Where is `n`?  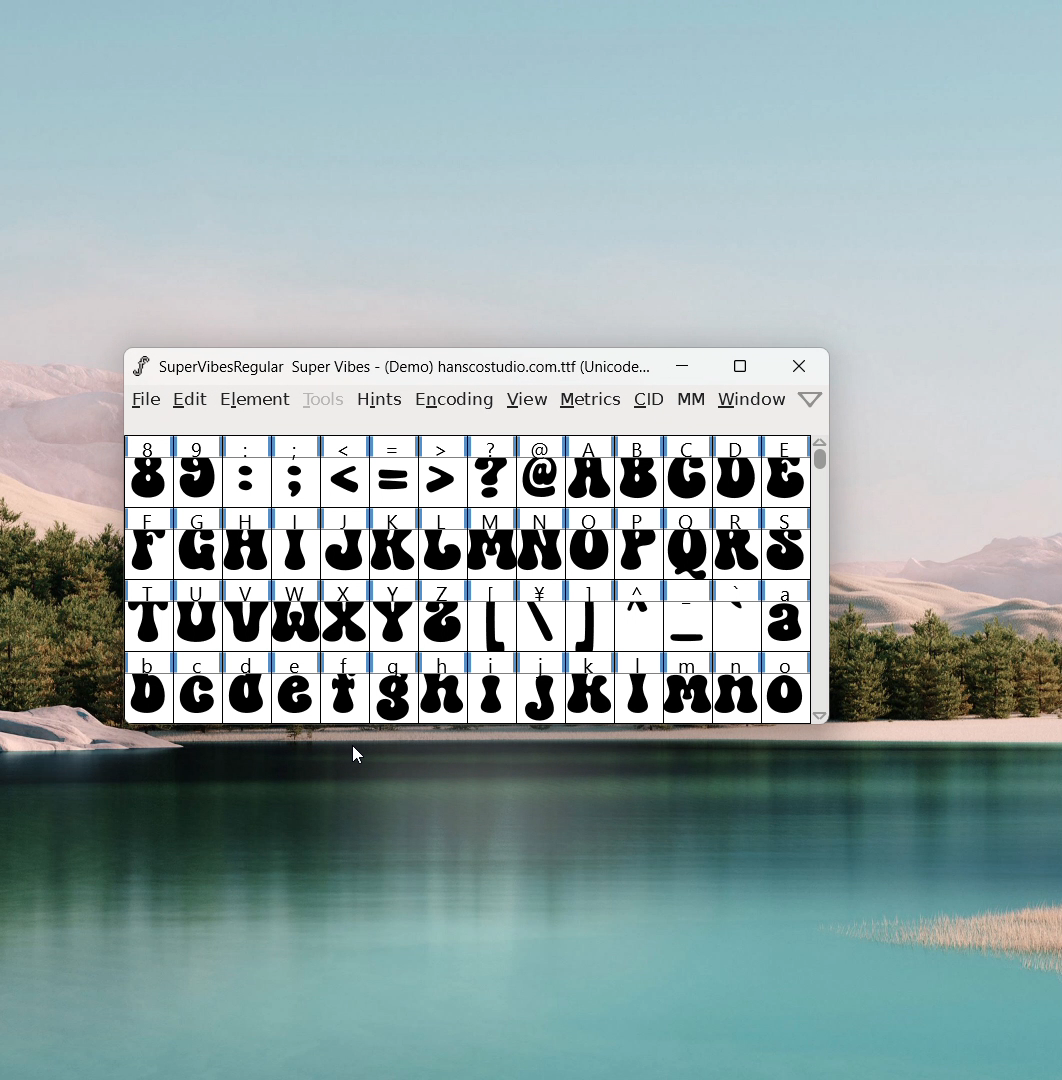 n is located at coordinates (737, 690).